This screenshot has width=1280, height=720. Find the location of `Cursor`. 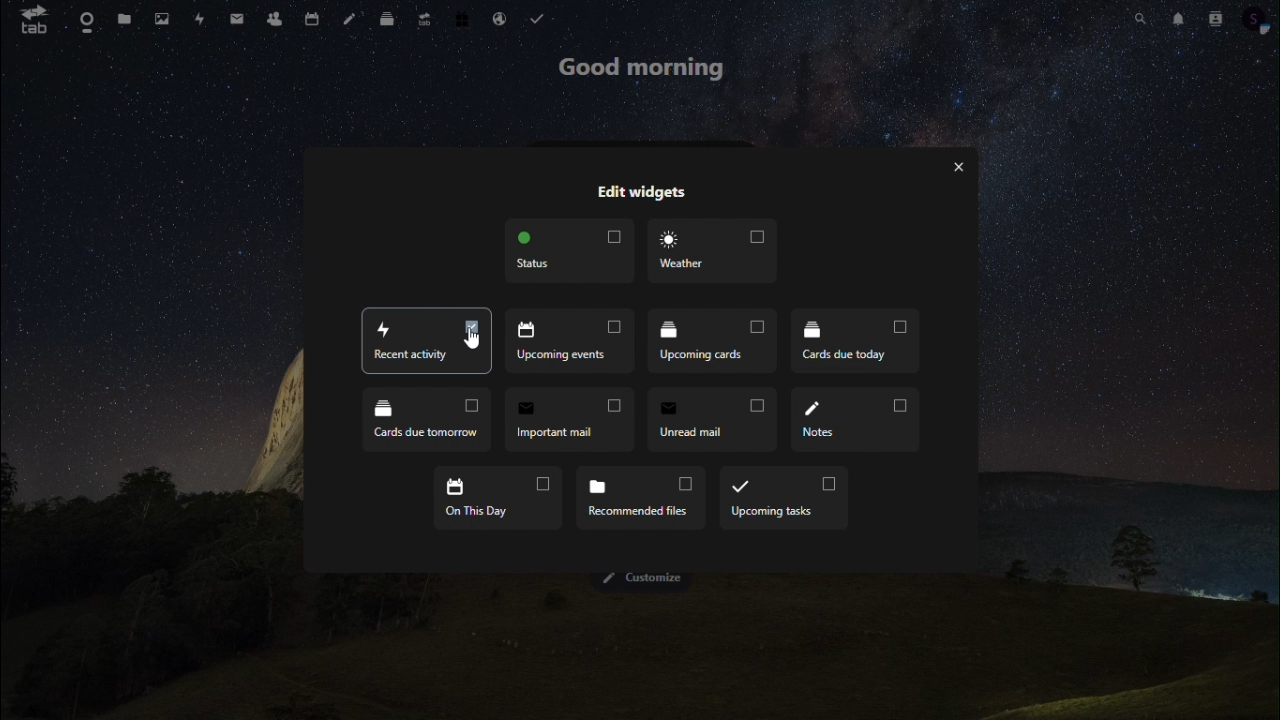

Cursor is located at coordinates (475, 342).